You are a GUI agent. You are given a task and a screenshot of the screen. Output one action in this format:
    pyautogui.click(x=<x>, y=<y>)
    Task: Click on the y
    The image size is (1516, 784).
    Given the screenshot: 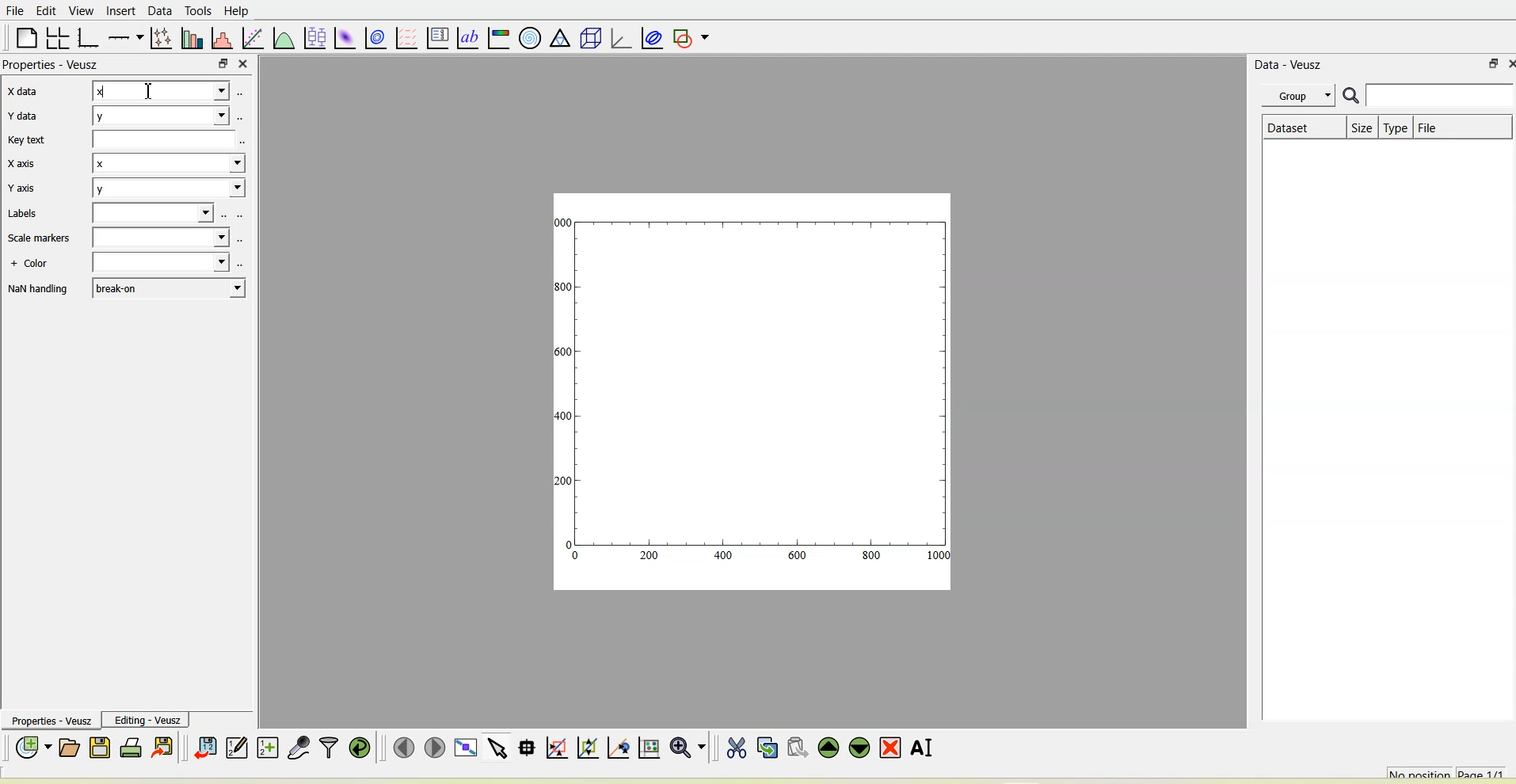 What is the action you would take?
    pyautogui.click(x=161, y=116)
    